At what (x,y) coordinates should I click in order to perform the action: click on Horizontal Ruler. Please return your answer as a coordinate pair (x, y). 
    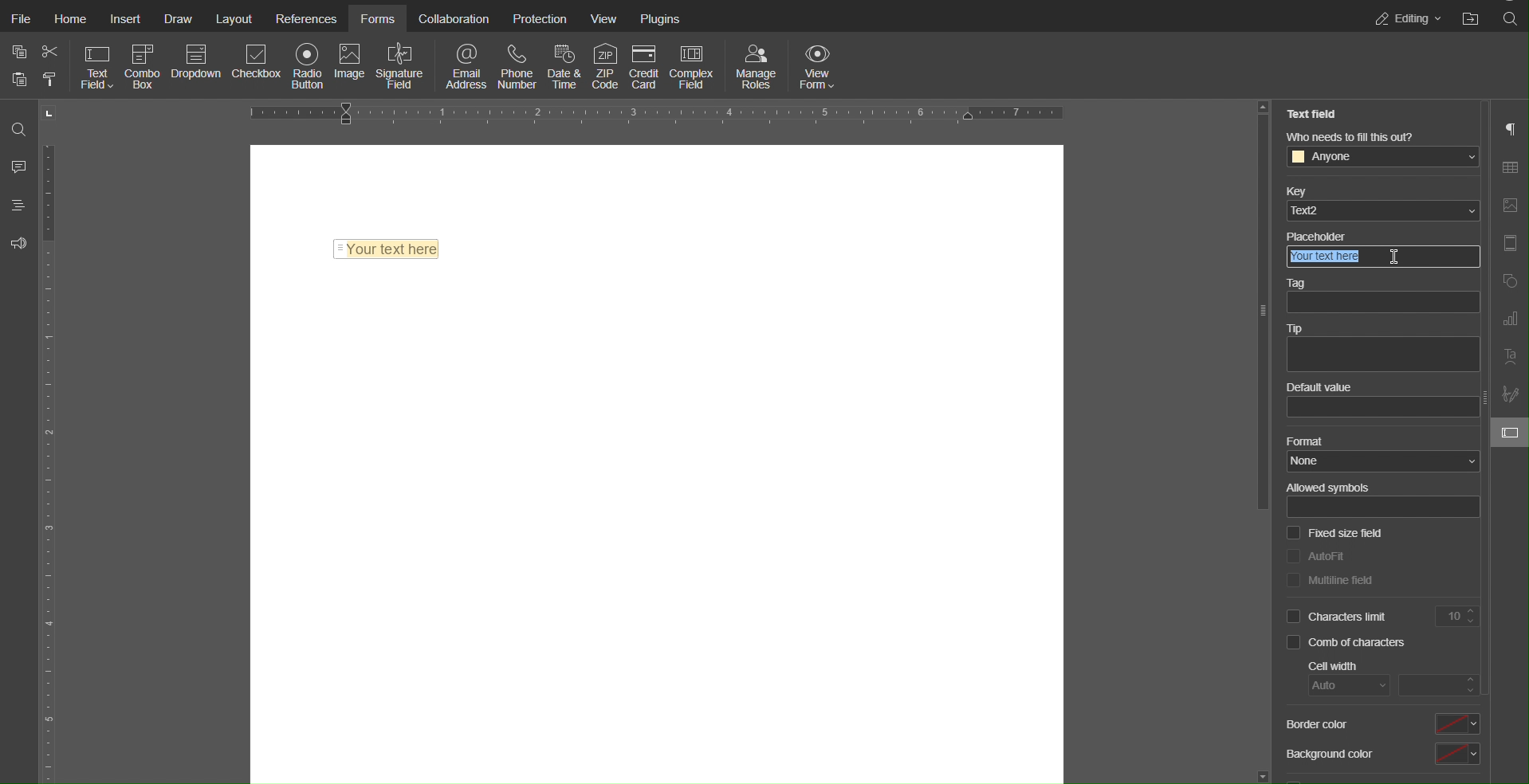
    Looking at the image, I should click on (657, 115).